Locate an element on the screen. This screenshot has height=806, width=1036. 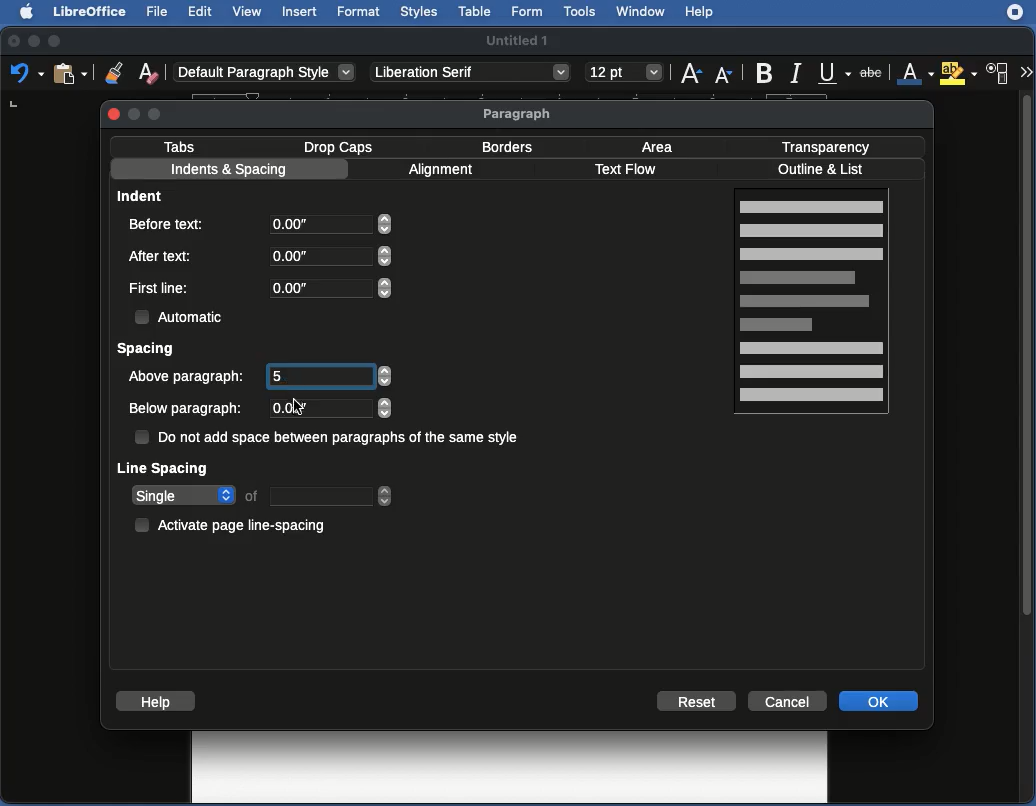
Strikethrough is located at coordinates (875, 73).